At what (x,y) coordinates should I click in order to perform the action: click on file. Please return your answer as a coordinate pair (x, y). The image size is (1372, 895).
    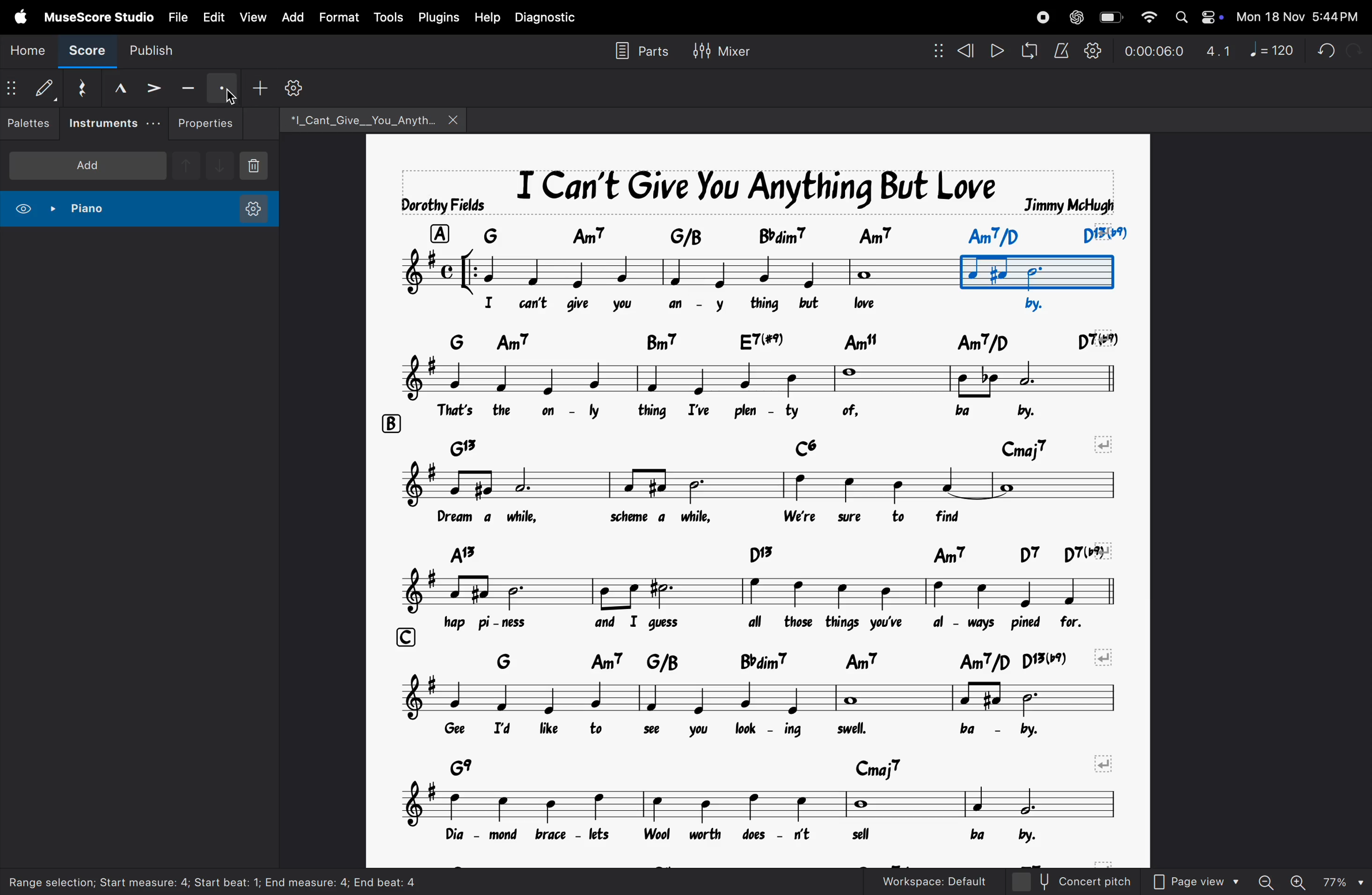
    Looking at the image, I should click on (178, 18).